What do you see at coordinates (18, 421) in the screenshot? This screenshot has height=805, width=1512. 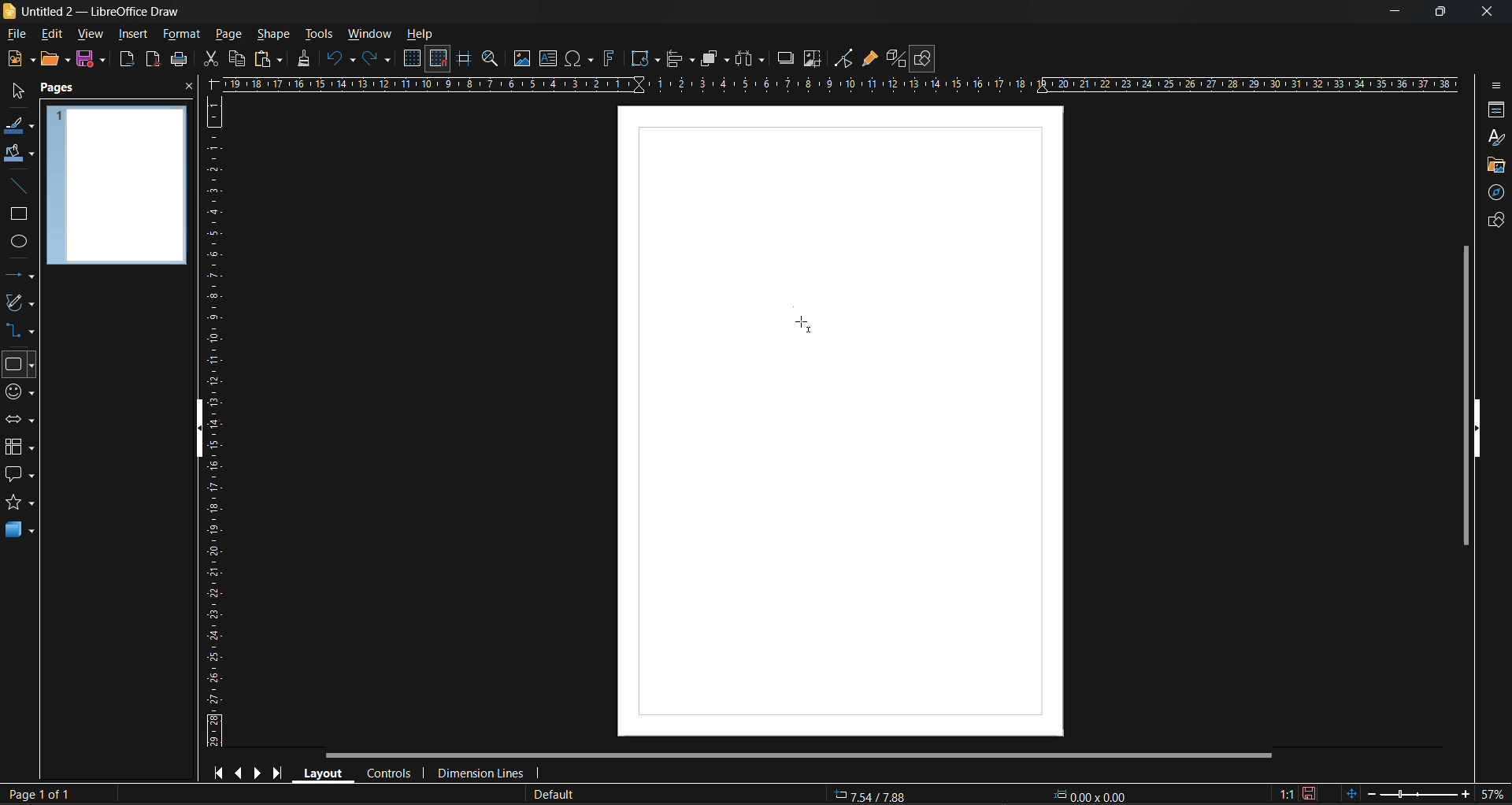 I see `block arrows` at bounding box center [18, 421].